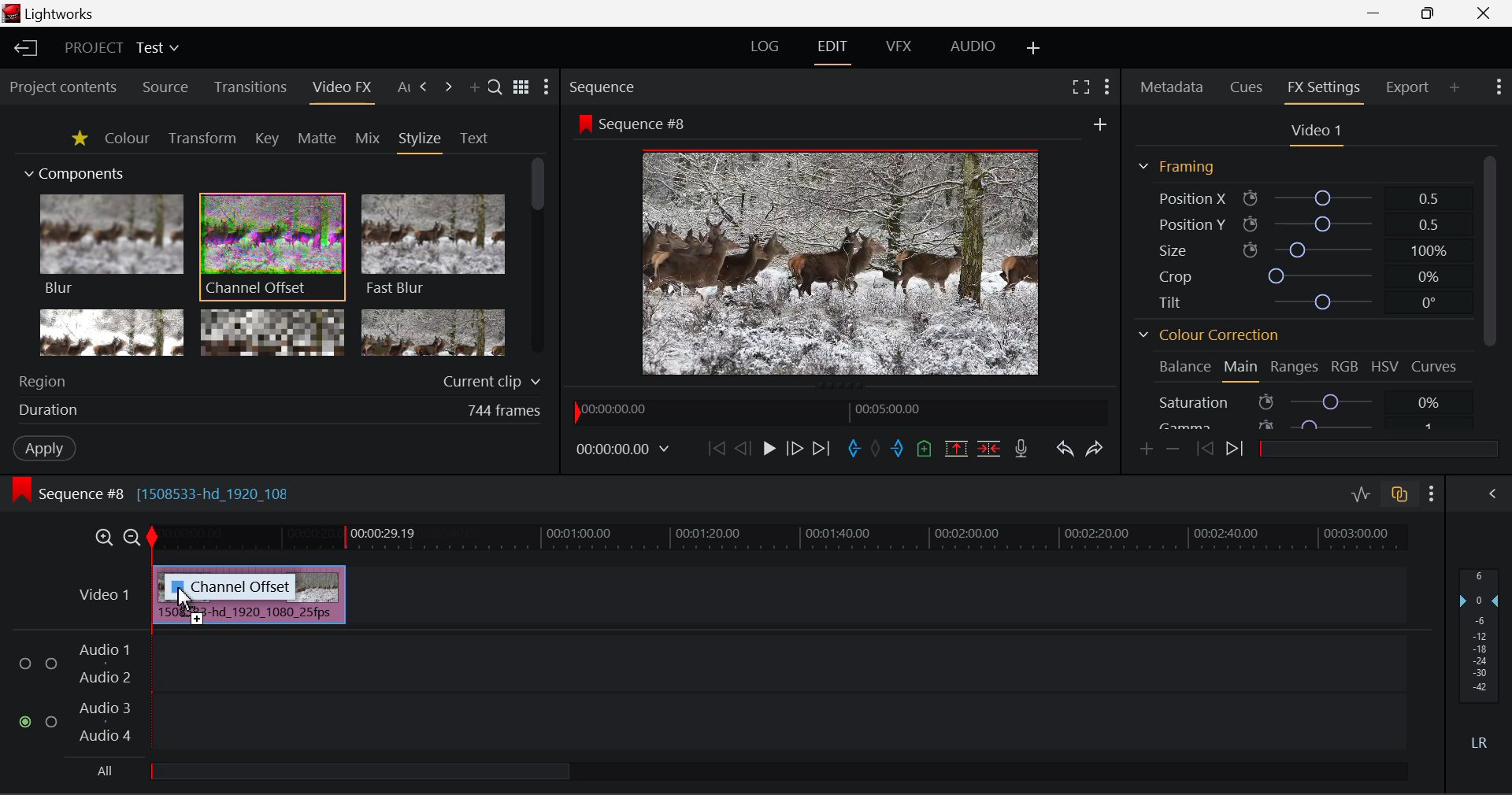 Image resolution: width=1512 pixels, height=795 pixels. Describe the element at coordinates (1298, 224) in the screenshot. I see `Position Y` at that location.